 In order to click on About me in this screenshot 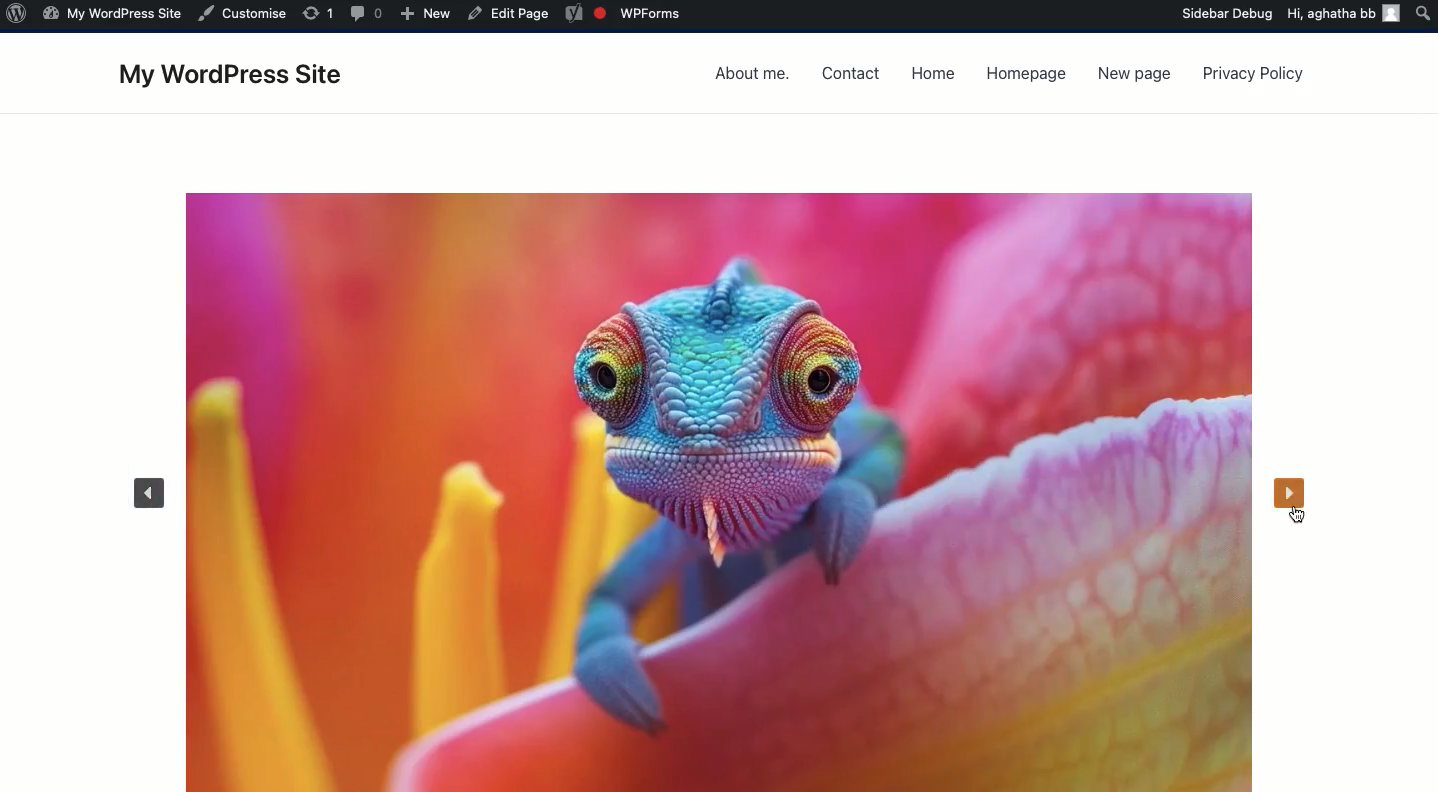, I will do `click(755, 75)`.